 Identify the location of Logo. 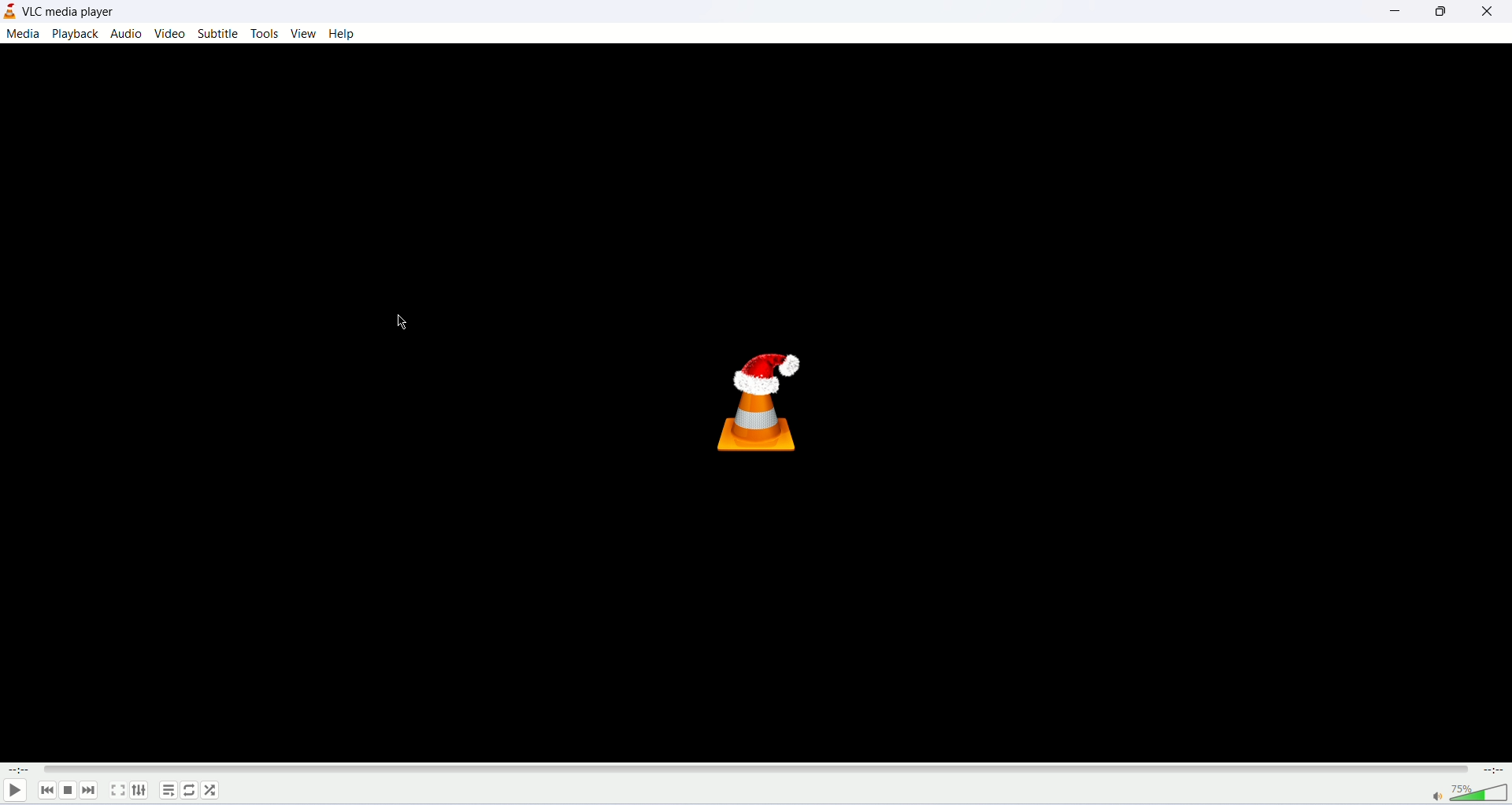
(755, 401).